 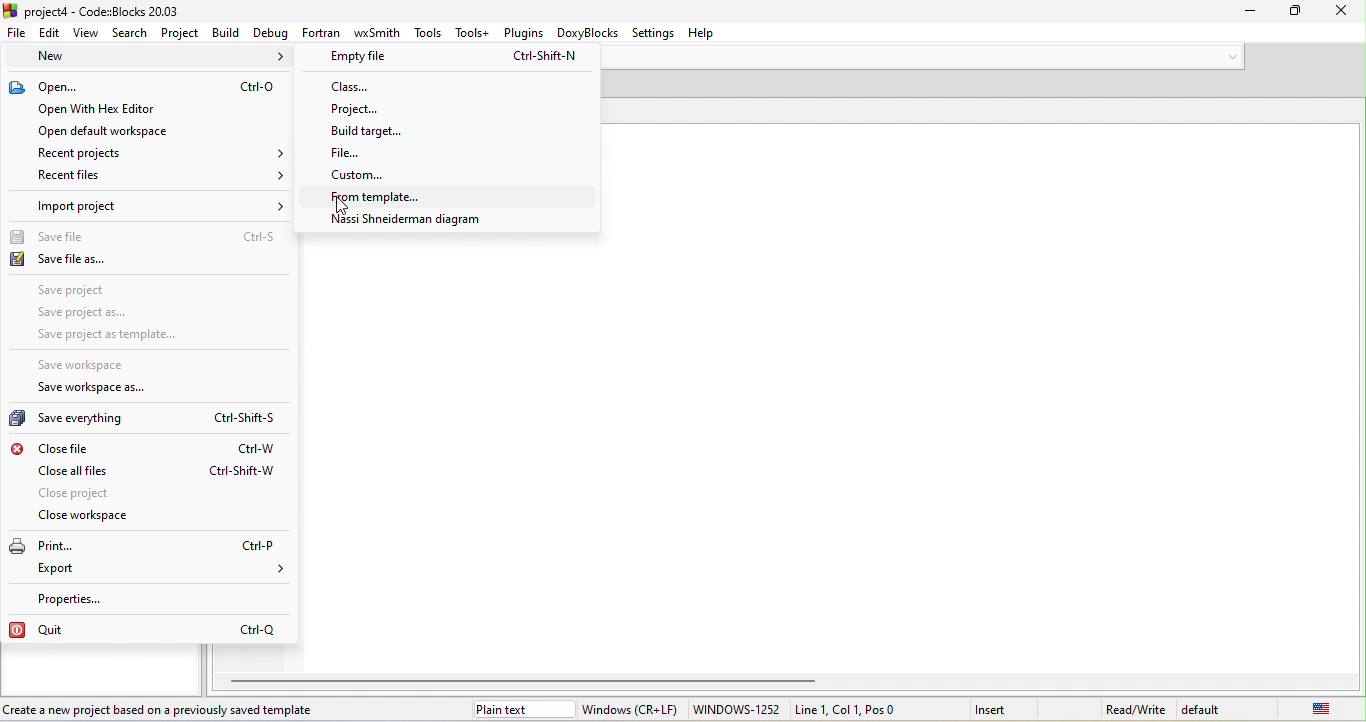 What do you see at coordinates (181, 34) in the screenshot?
I see `project` at bounding box center [181, 34].